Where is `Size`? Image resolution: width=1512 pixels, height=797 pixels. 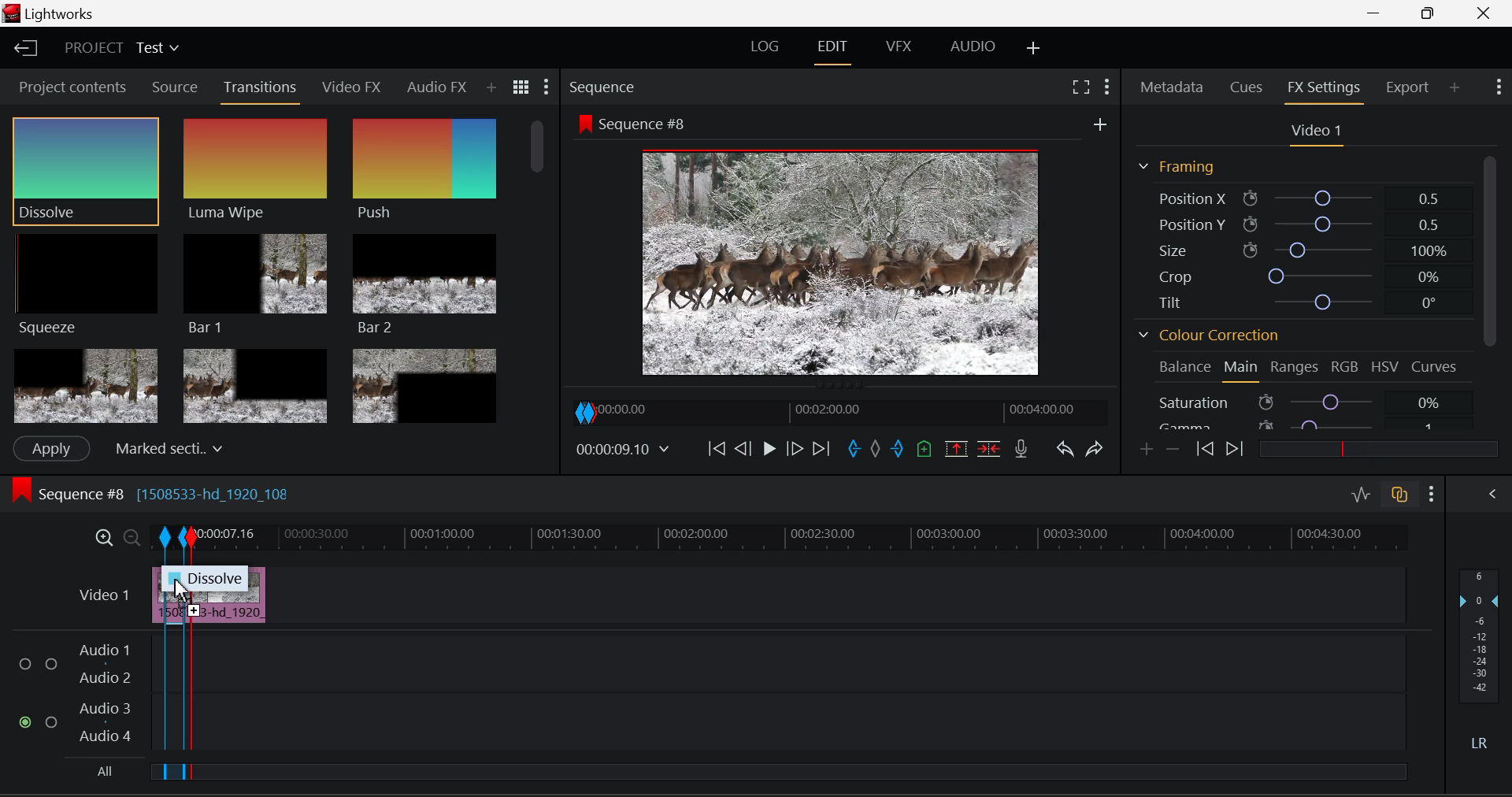 Size is located at coordinates (1299, 250).